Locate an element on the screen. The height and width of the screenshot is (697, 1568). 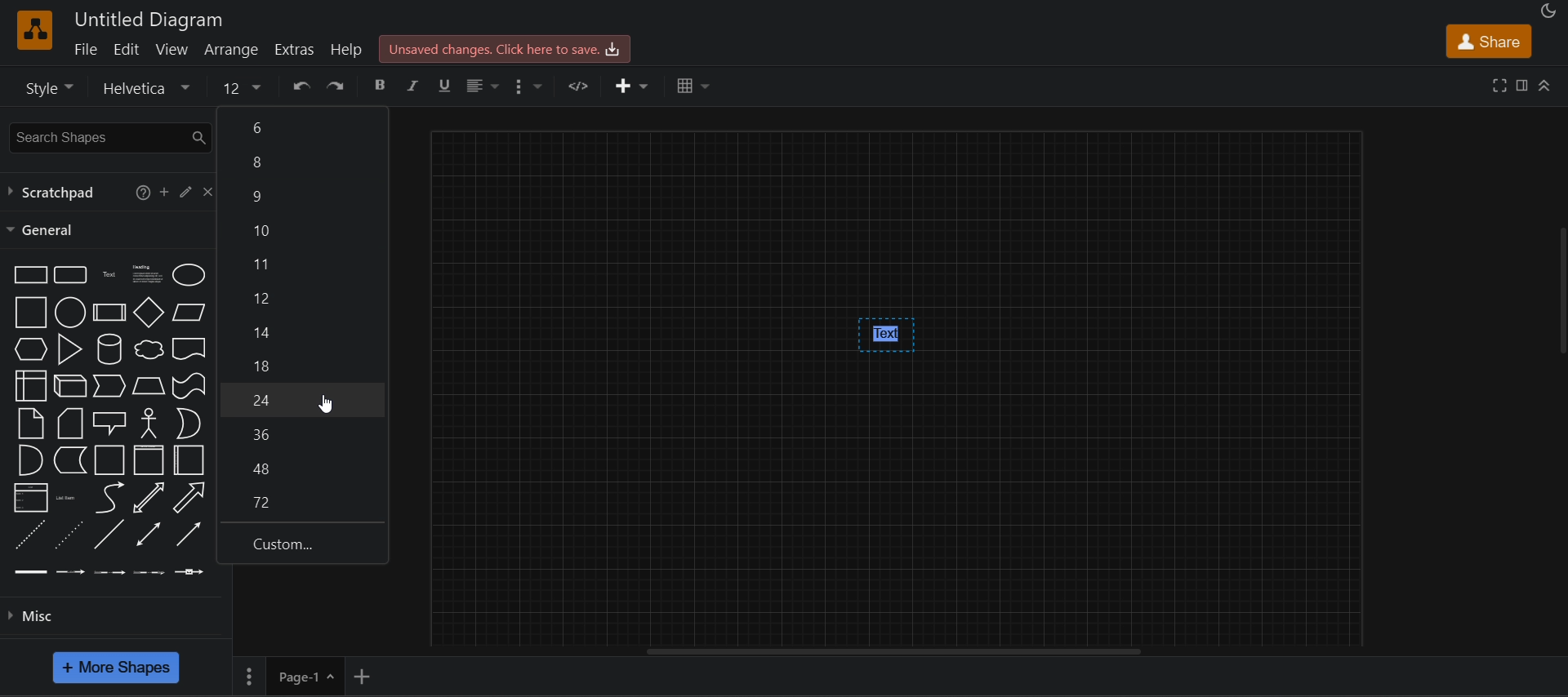
format is located at coordinates (1521, 85).